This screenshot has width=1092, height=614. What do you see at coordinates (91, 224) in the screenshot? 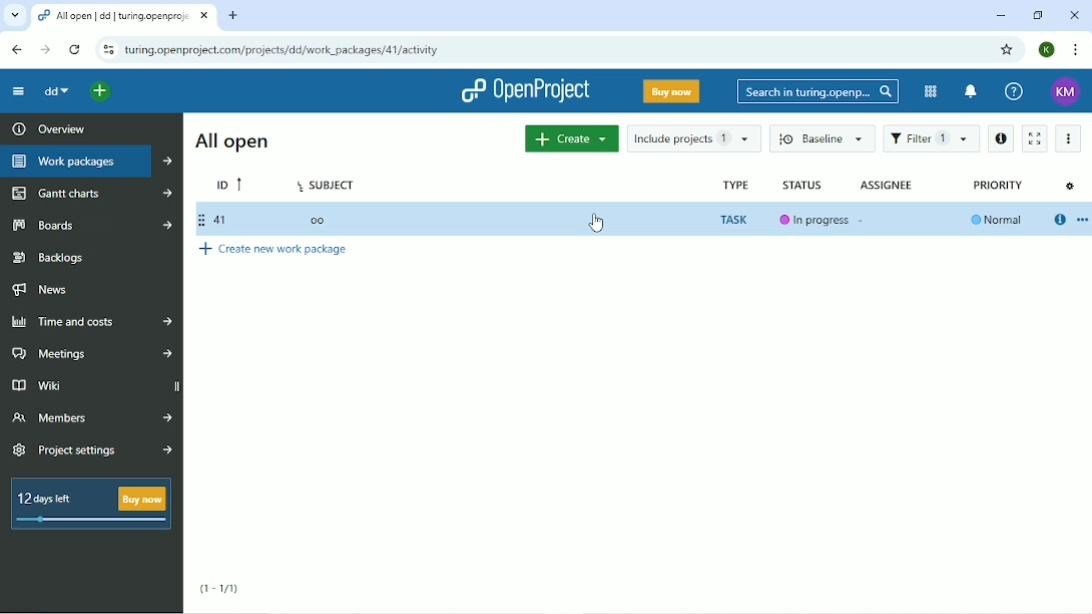
I see `Boards` at bounding box center [91, 224].